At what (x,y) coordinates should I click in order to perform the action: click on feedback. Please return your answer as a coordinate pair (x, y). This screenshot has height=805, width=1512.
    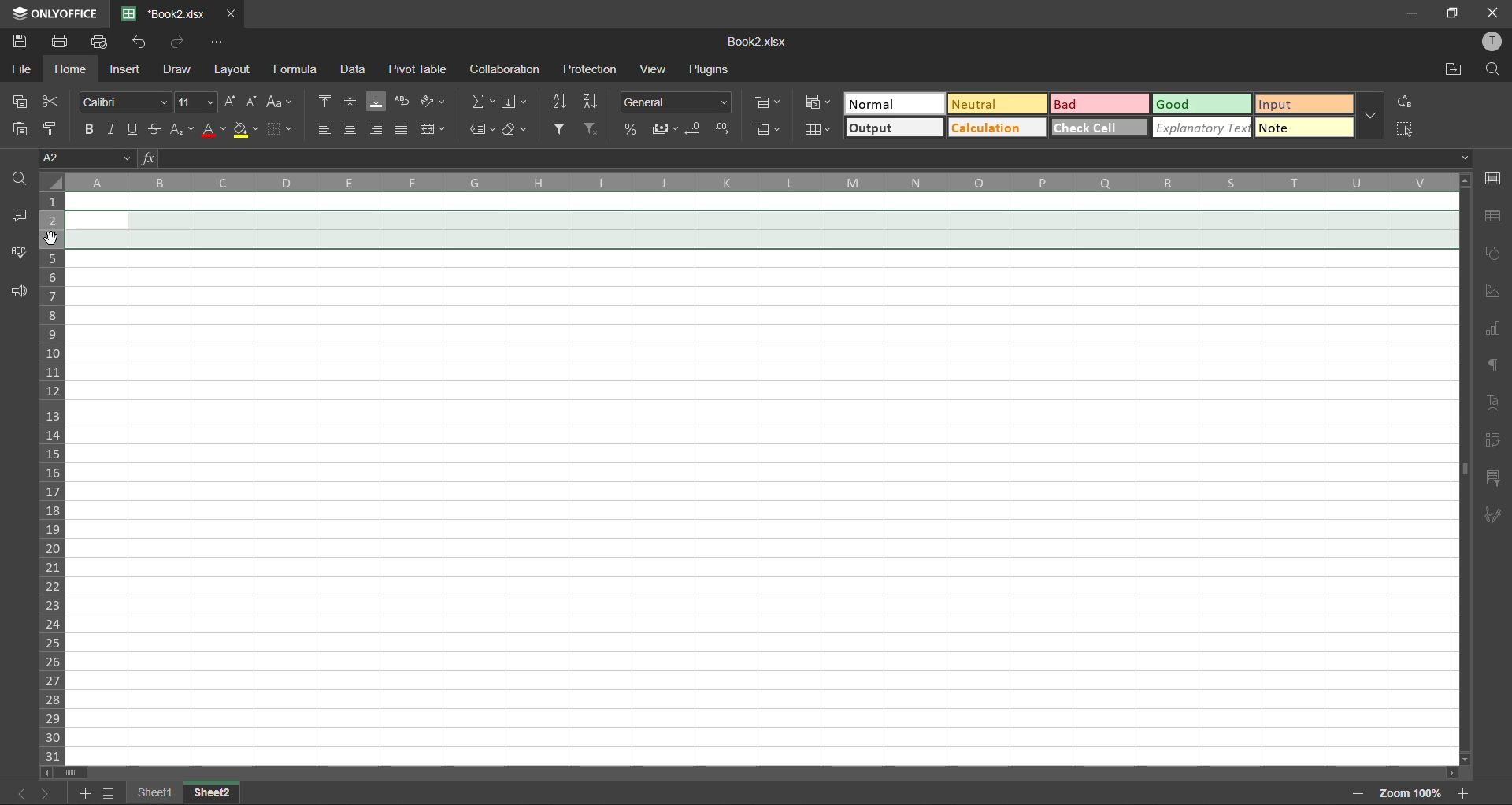
    Looking at the image, I should click on (20, 293).